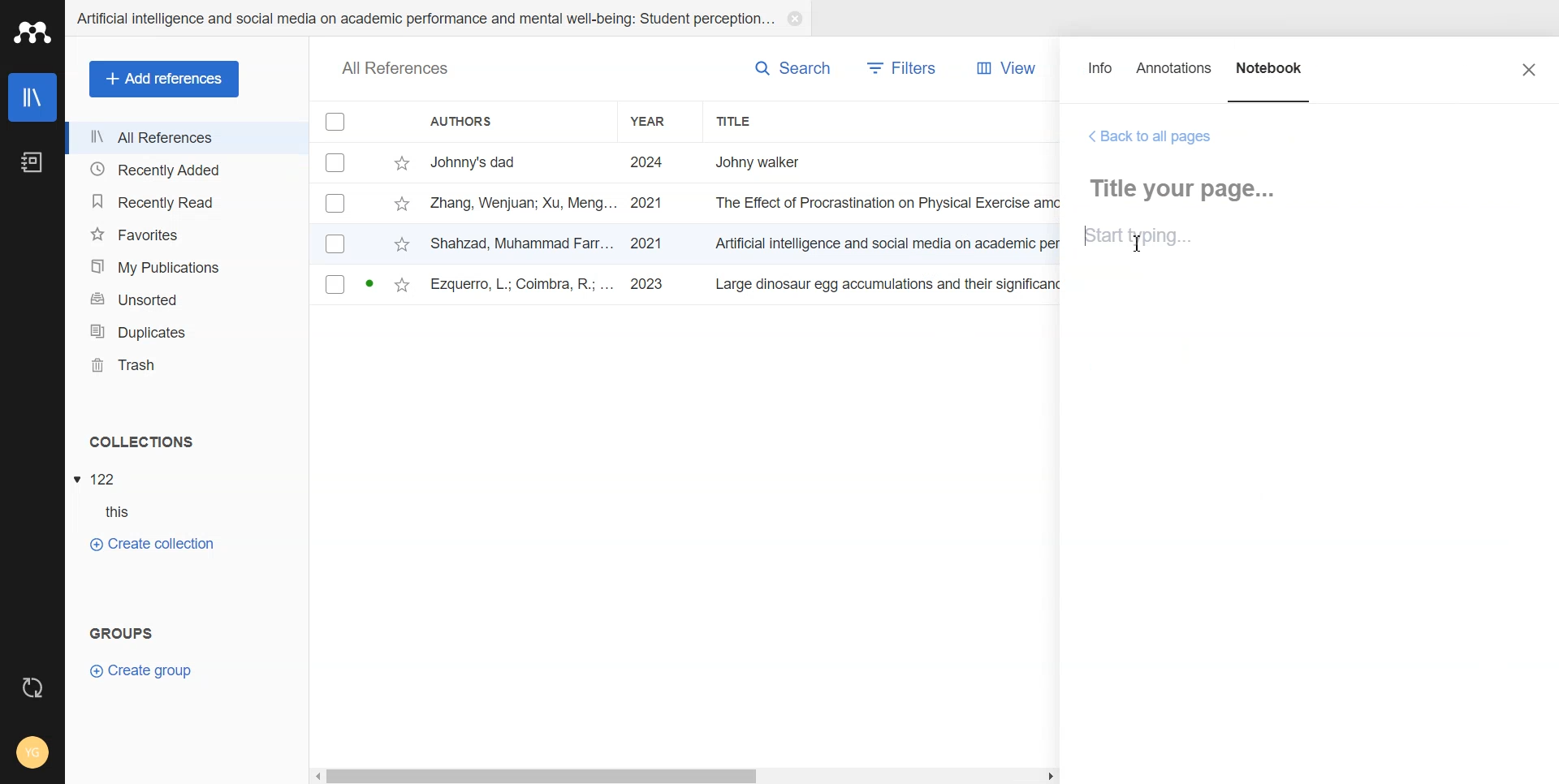 The width and height of the screenshot is (1559, 784). Describe the element at coordinates (903, 68) in the screenshot. I see `Filters` at that location.